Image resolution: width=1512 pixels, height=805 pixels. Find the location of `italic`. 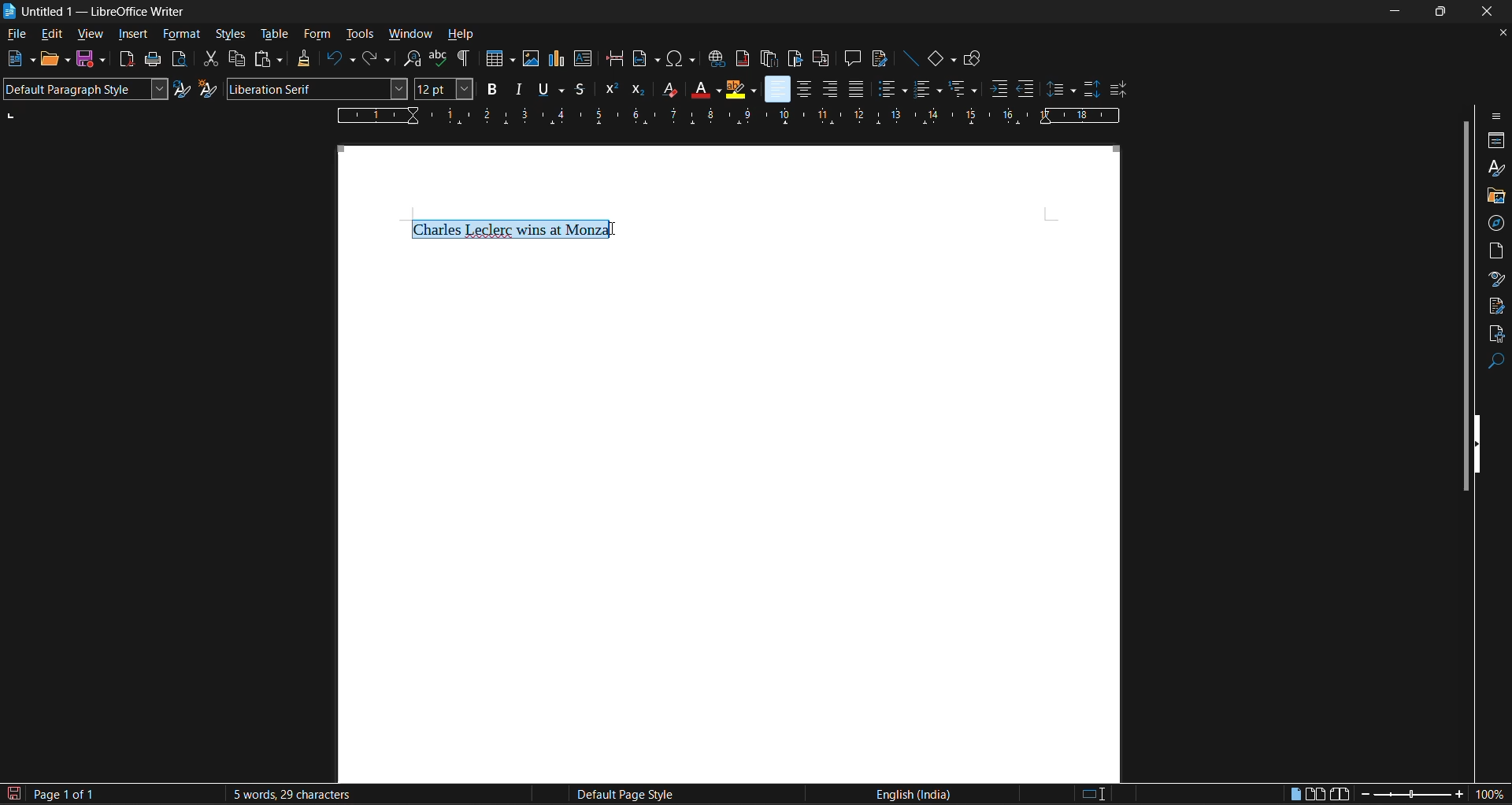

italic is located at coordinates (517, 88).